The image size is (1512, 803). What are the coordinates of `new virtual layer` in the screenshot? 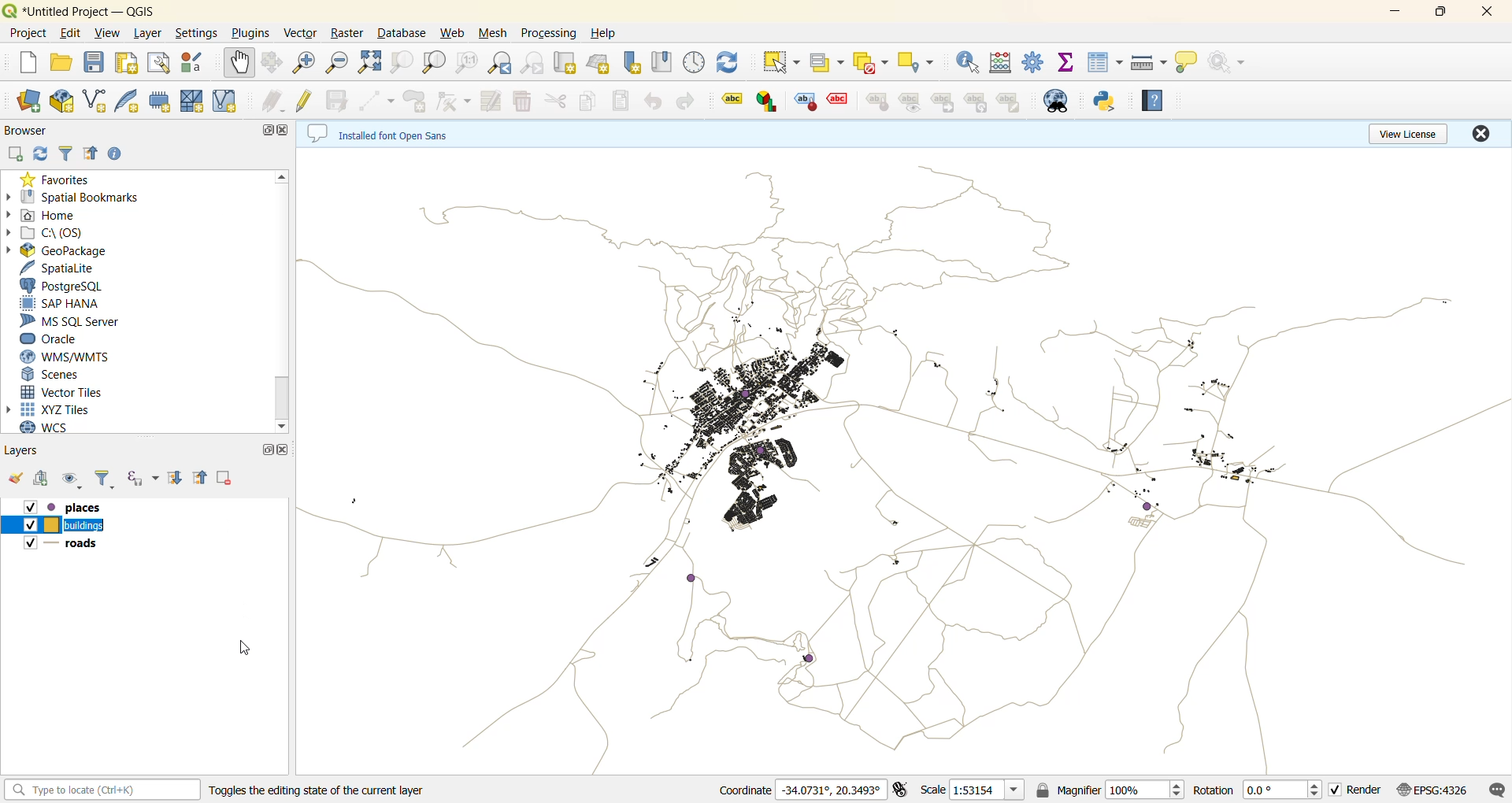 It's located at (227, 101).